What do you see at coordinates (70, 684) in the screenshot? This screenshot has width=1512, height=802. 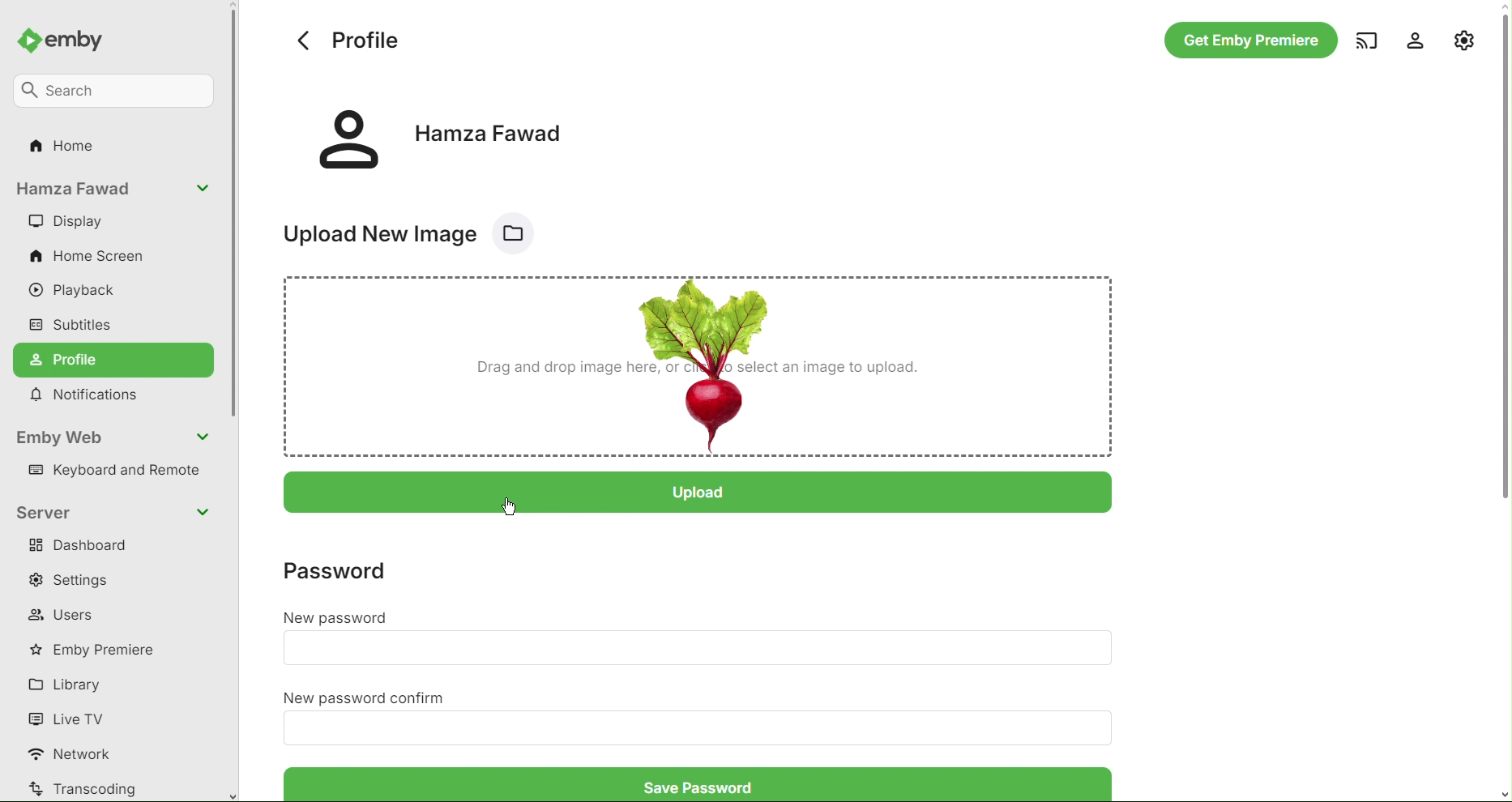 I see `Library` at bounding box center [70, 684].